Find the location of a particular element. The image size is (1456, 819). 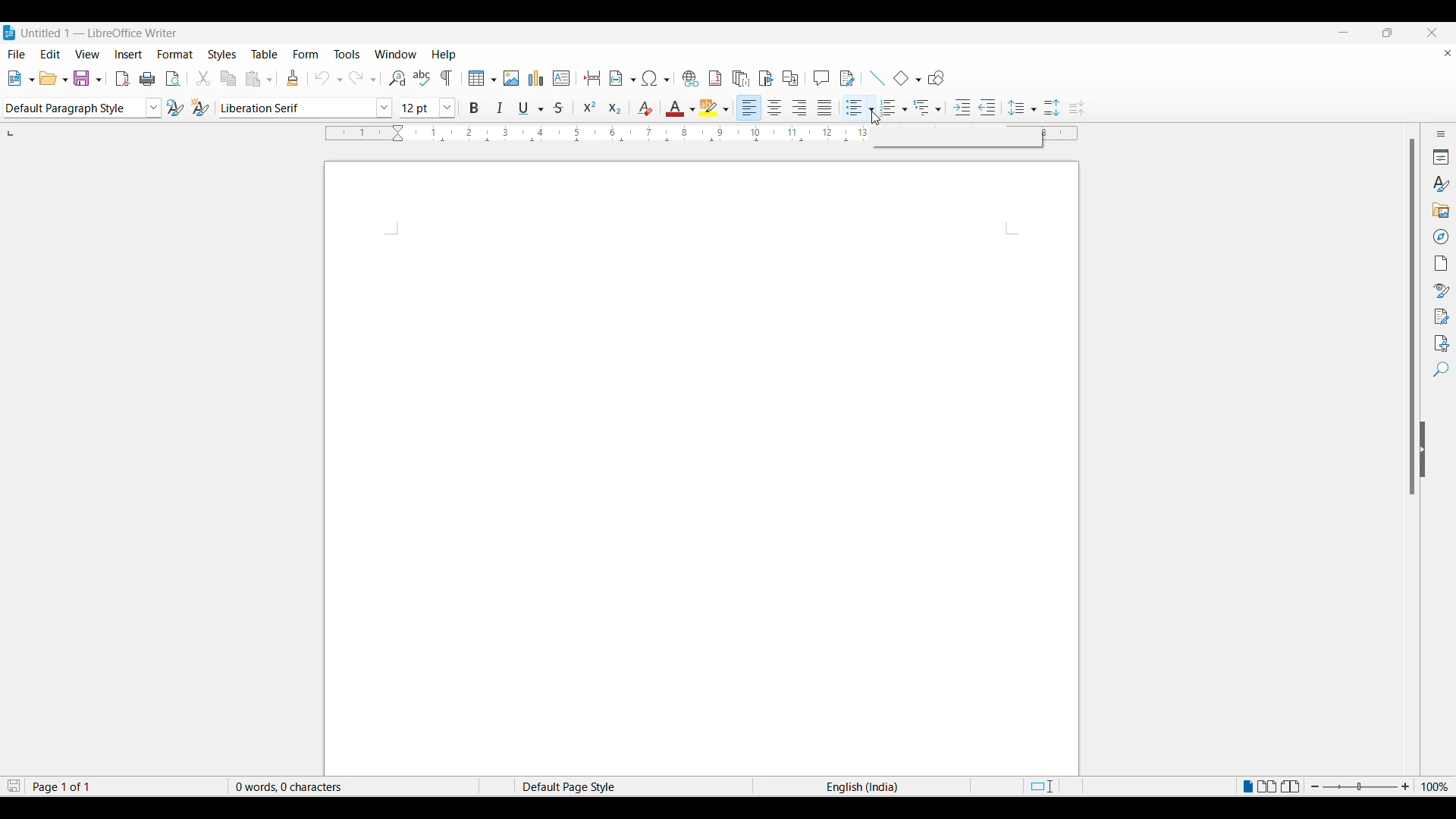

Style inspector is located at coordinates (1438, 288).